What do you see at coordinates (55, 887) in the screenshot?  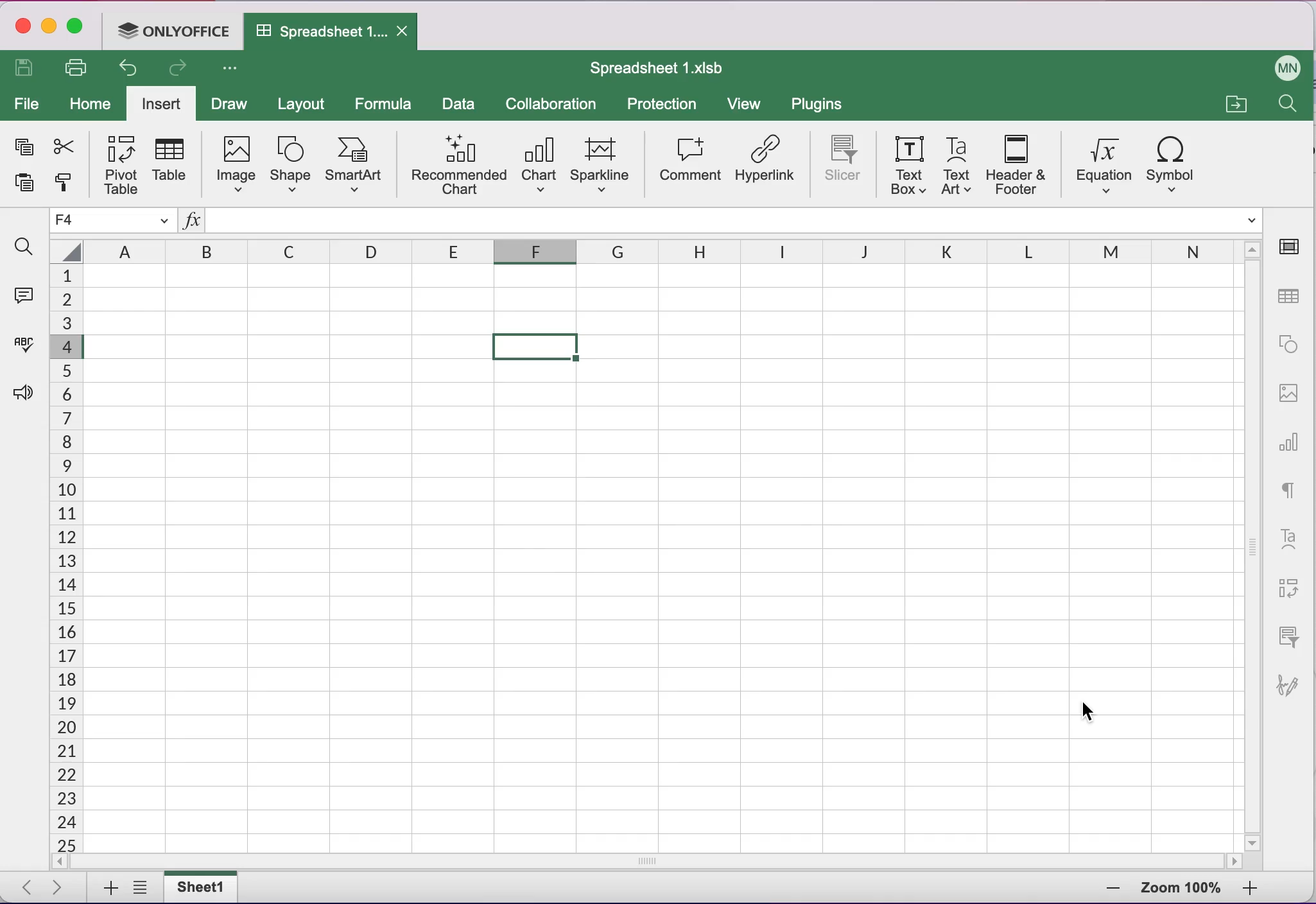 I see `next sheet` at bounding box center [55, 887].